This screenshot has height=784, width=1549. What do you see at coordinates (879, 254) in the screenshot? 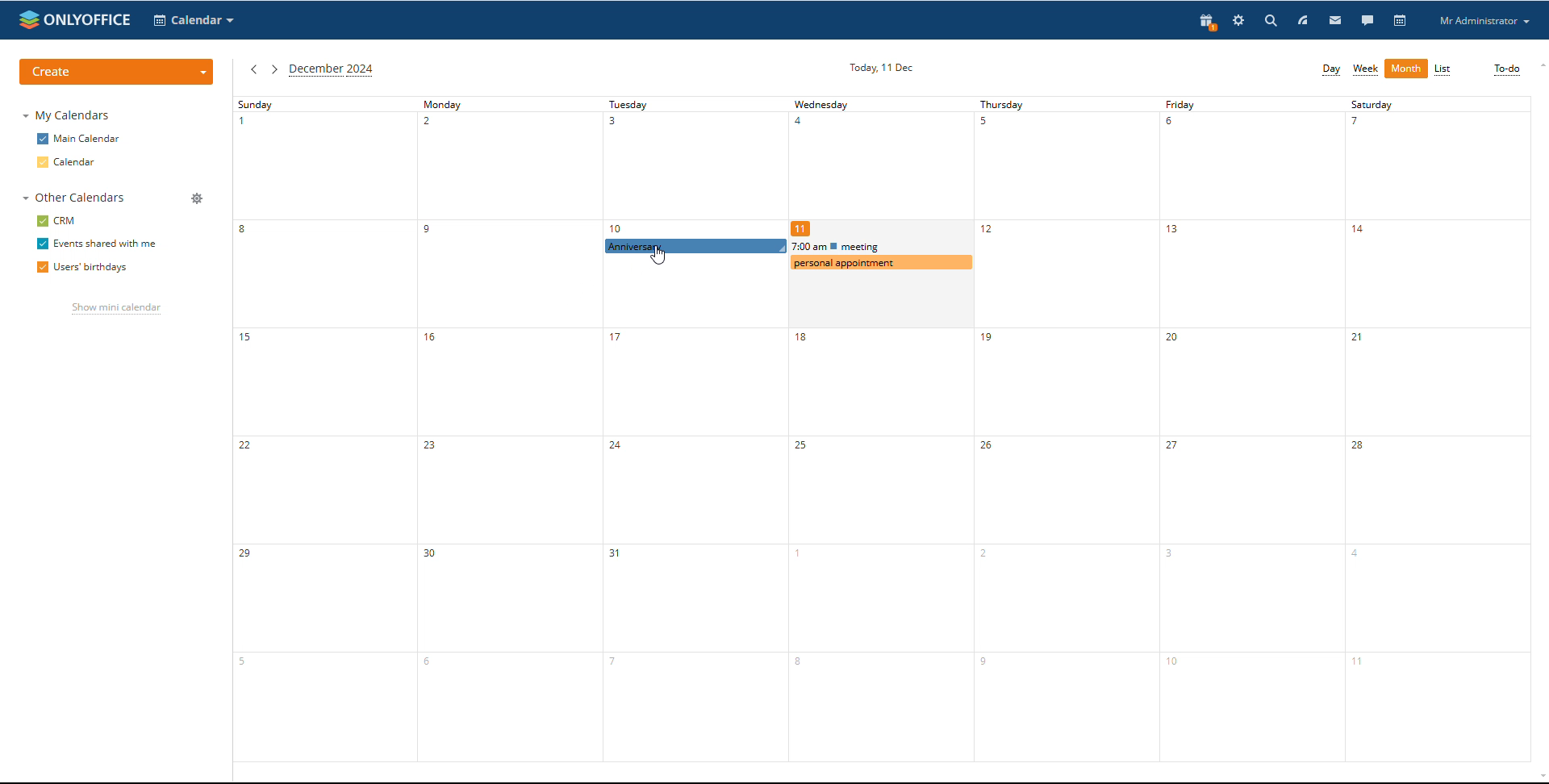
I see `other events` at bounding box center [879, 254].